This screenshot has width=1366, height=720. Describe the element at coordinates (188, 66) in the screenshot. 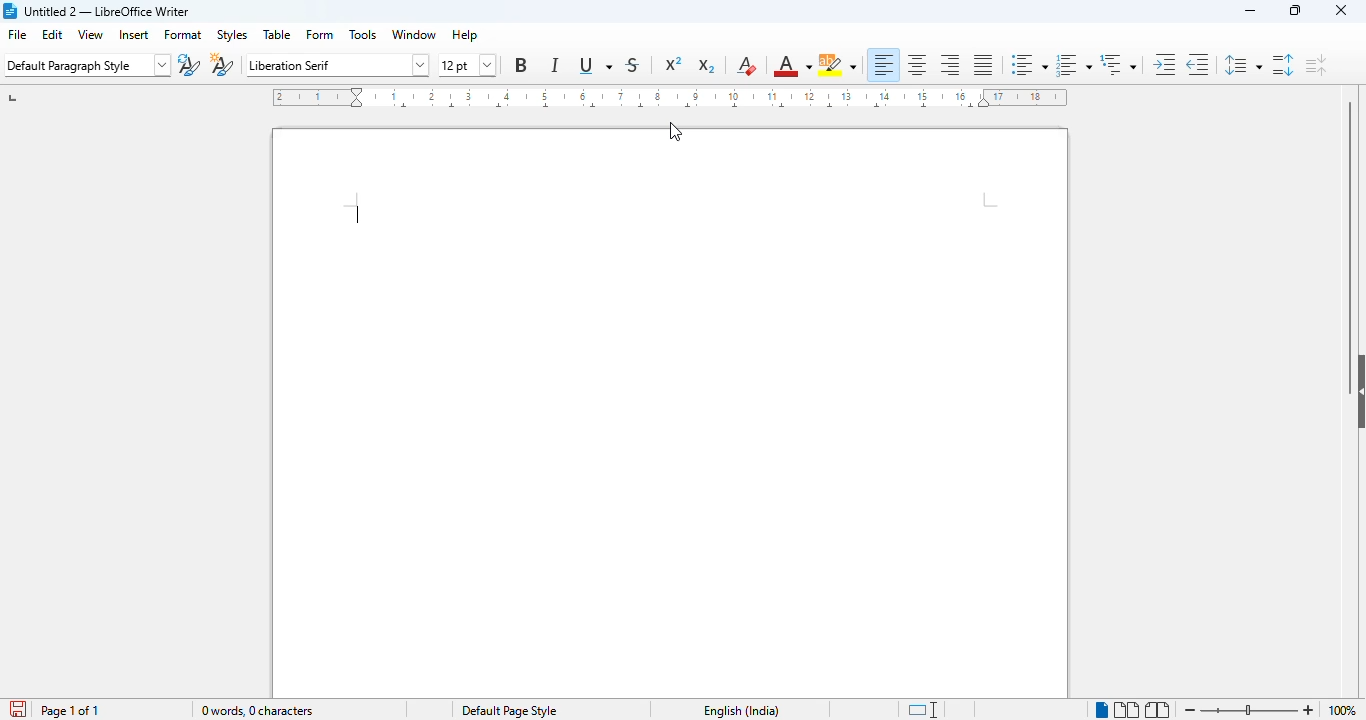

I see `update paragraph style` at that location.